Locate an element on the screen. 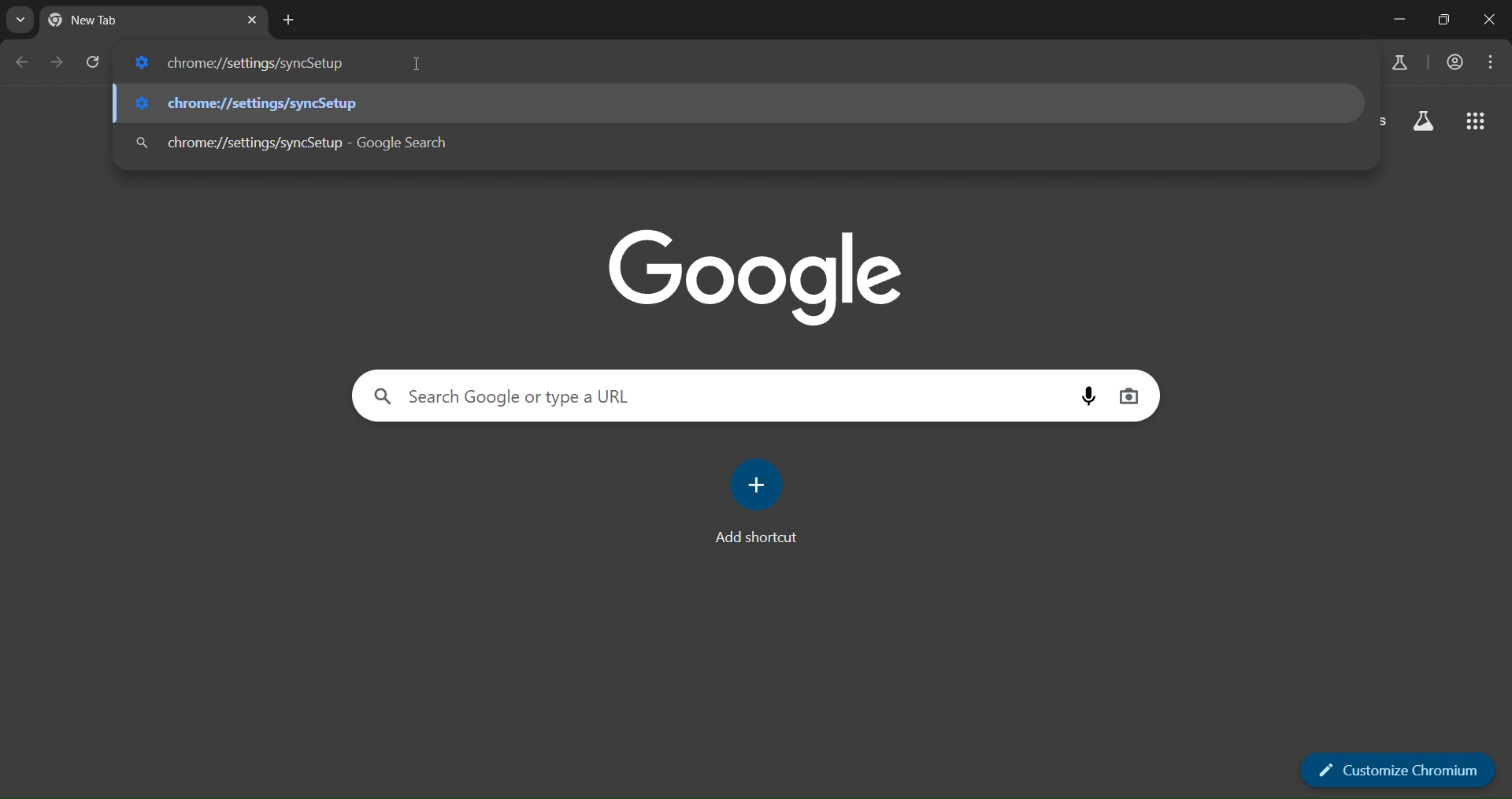 Image resolution: width=1512 pixels, height=799 pixels. menu is located at coordinates (1489, 63).